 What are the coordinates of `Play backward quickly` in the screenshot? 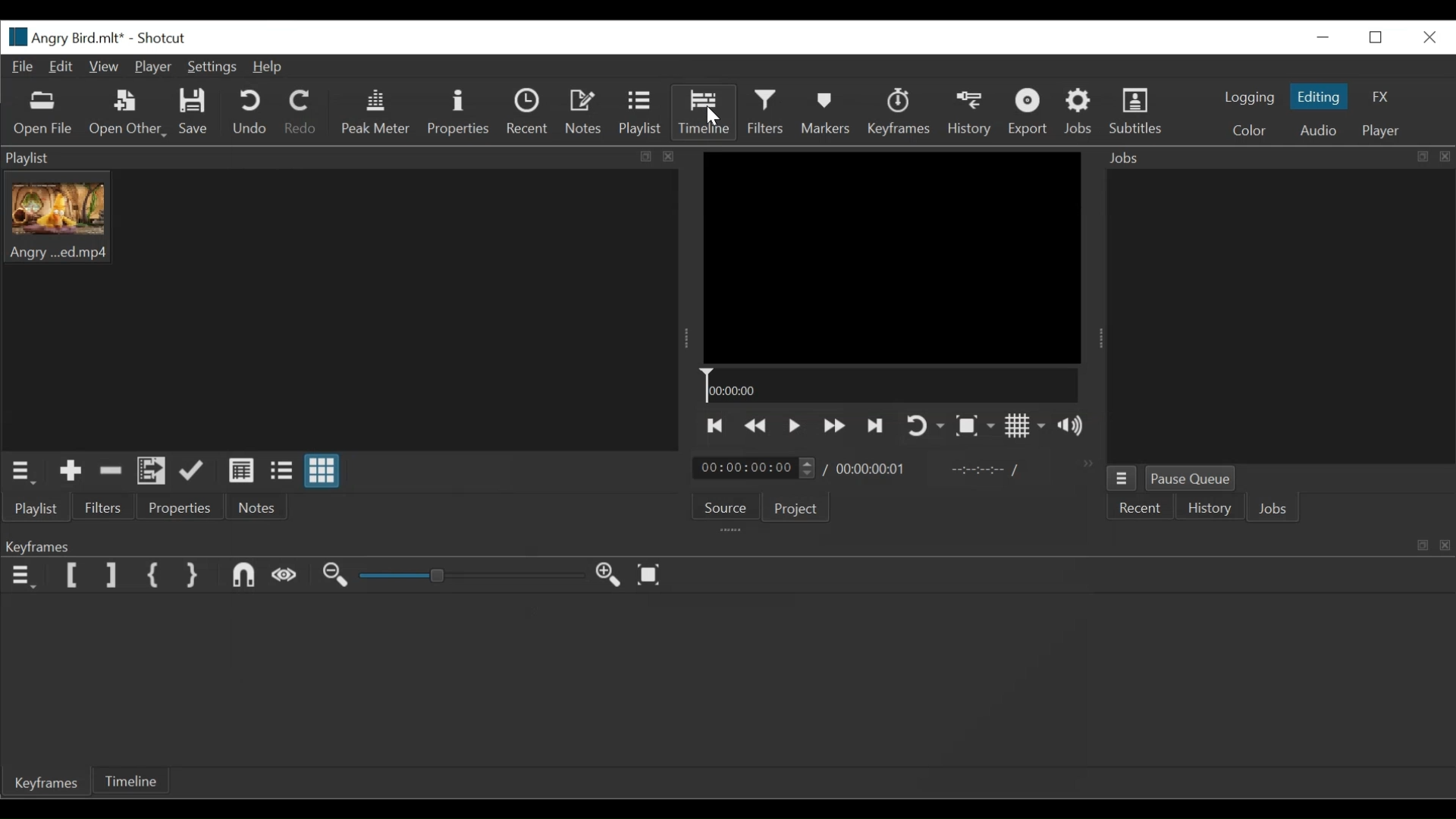 It's located at (756, 427).